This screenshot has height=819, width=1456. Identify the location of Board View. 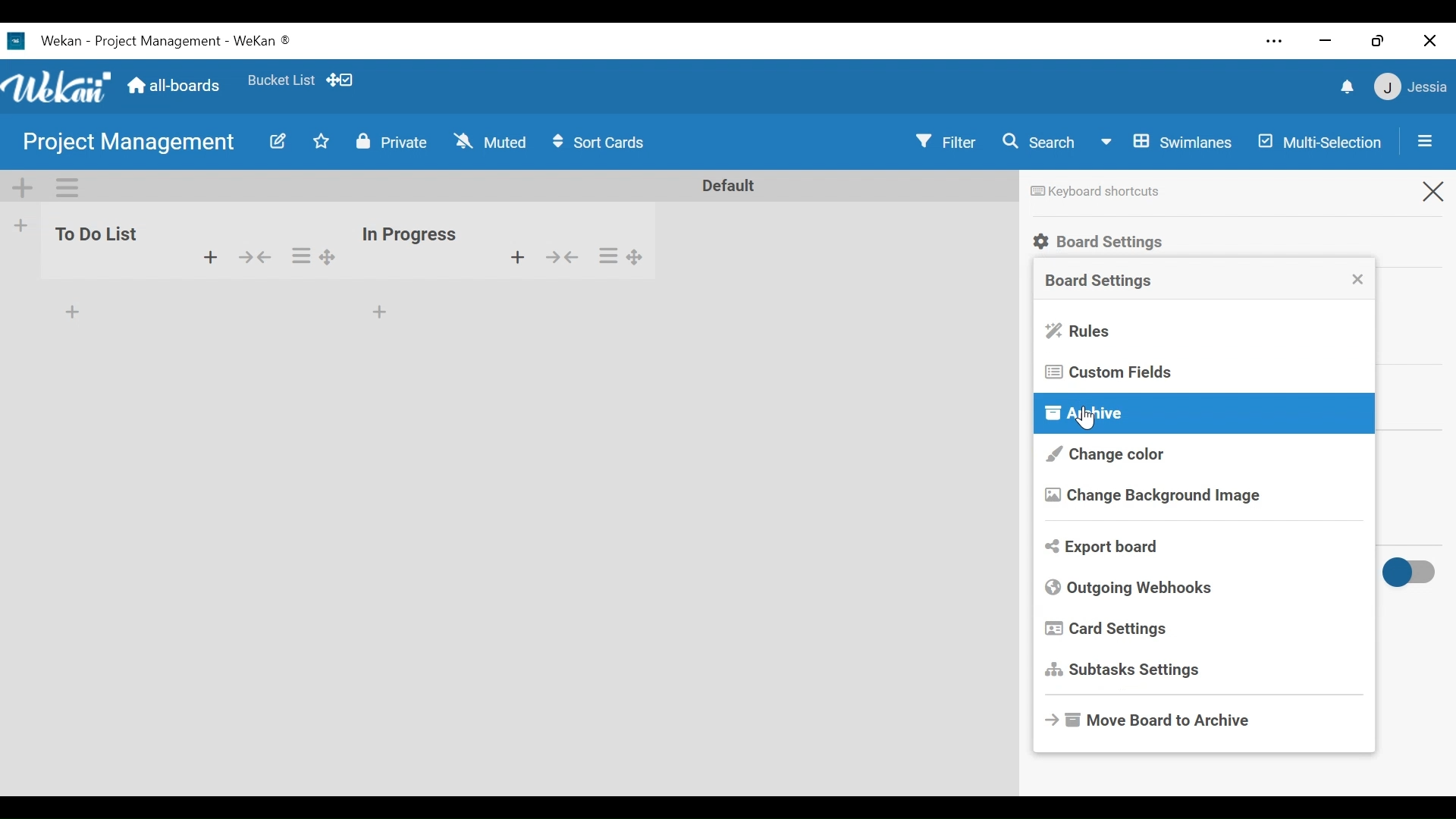
(1169, 143).